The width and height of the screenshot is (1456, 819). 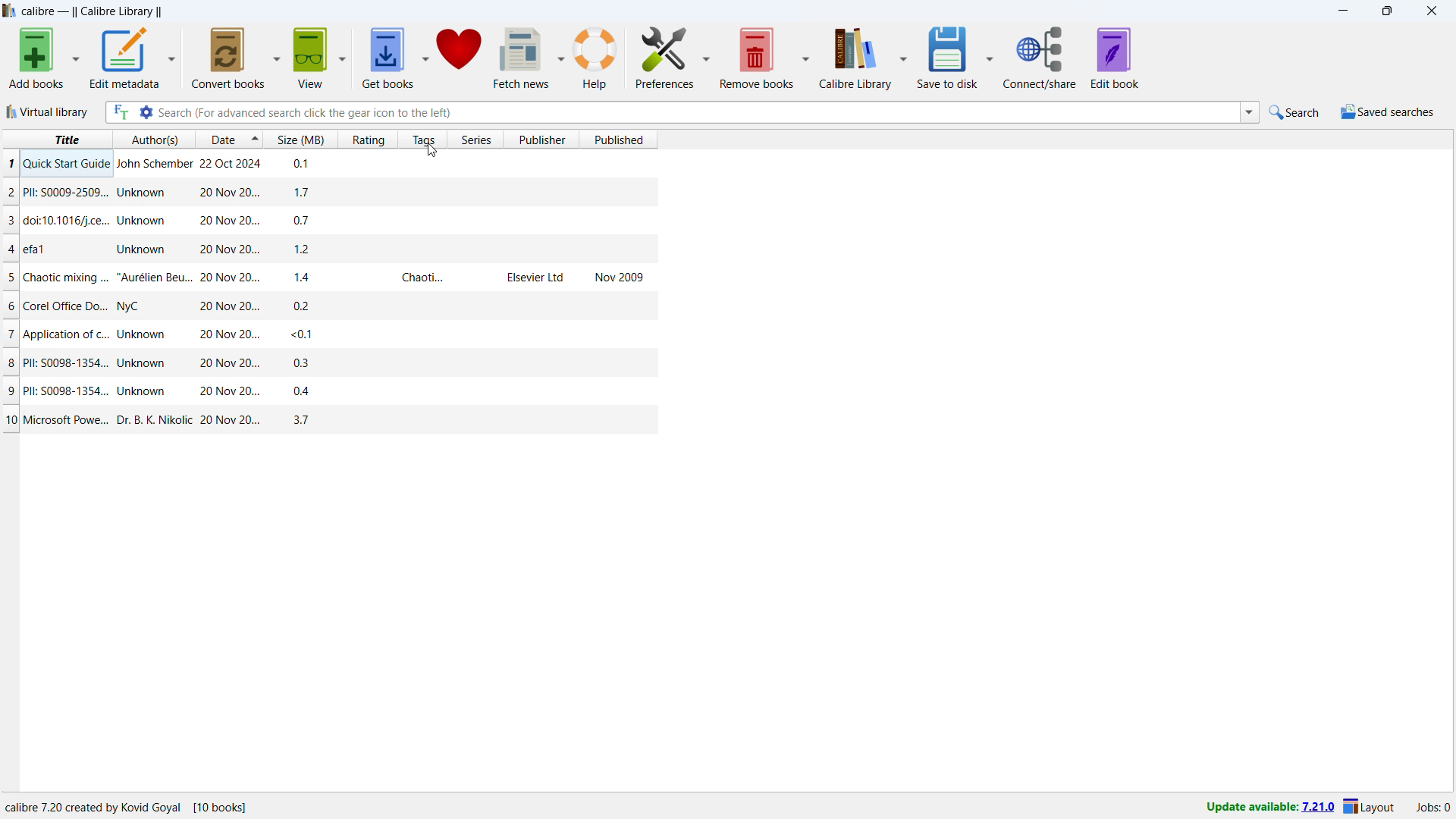 I want to click on one book entry, so click(x=321, y=165).